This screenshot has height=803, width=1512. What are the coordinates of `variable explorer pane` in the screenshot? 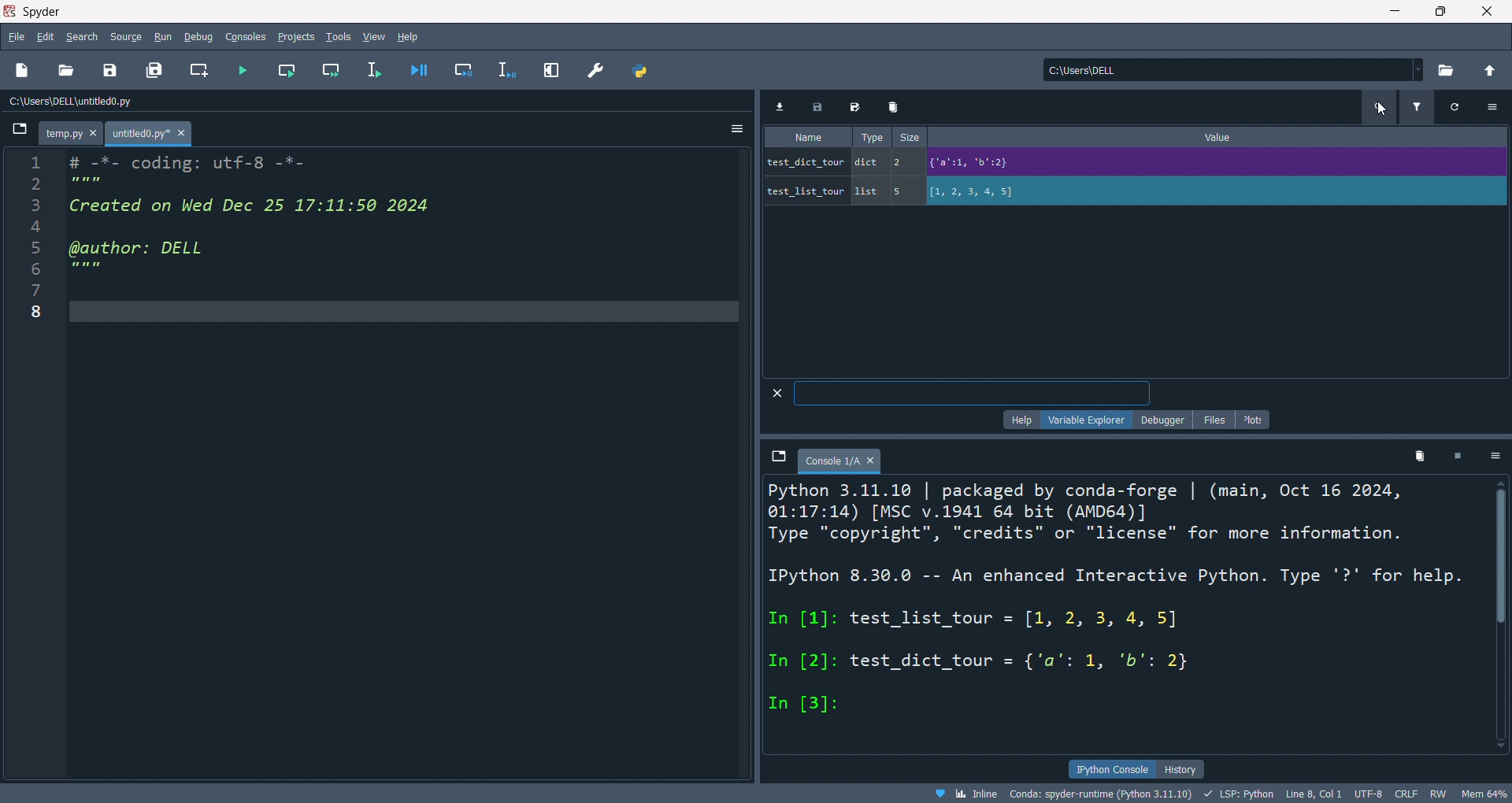 It's located at (1132, 253).